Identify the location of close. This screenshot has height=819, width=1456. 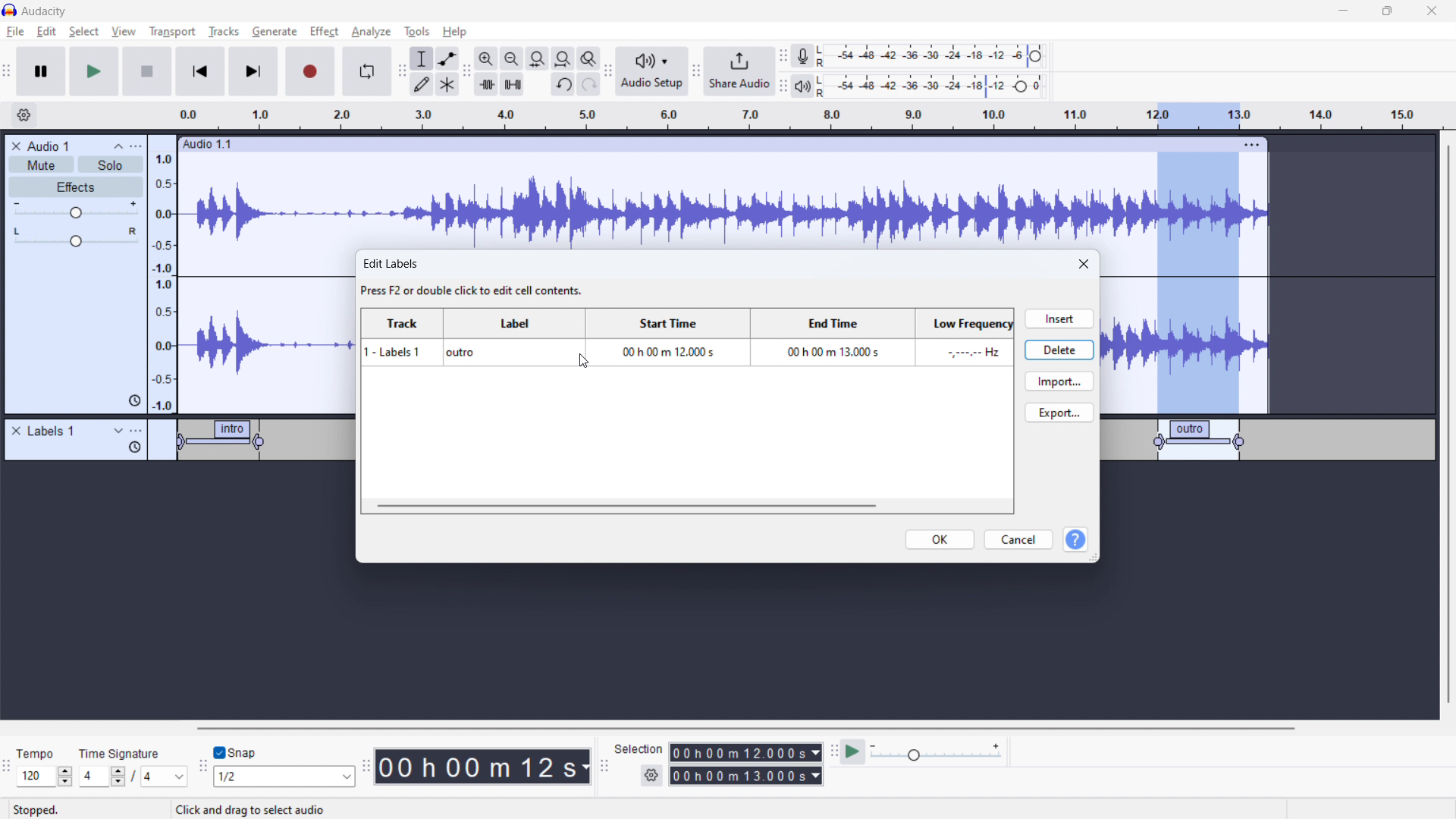
(1085, 265).